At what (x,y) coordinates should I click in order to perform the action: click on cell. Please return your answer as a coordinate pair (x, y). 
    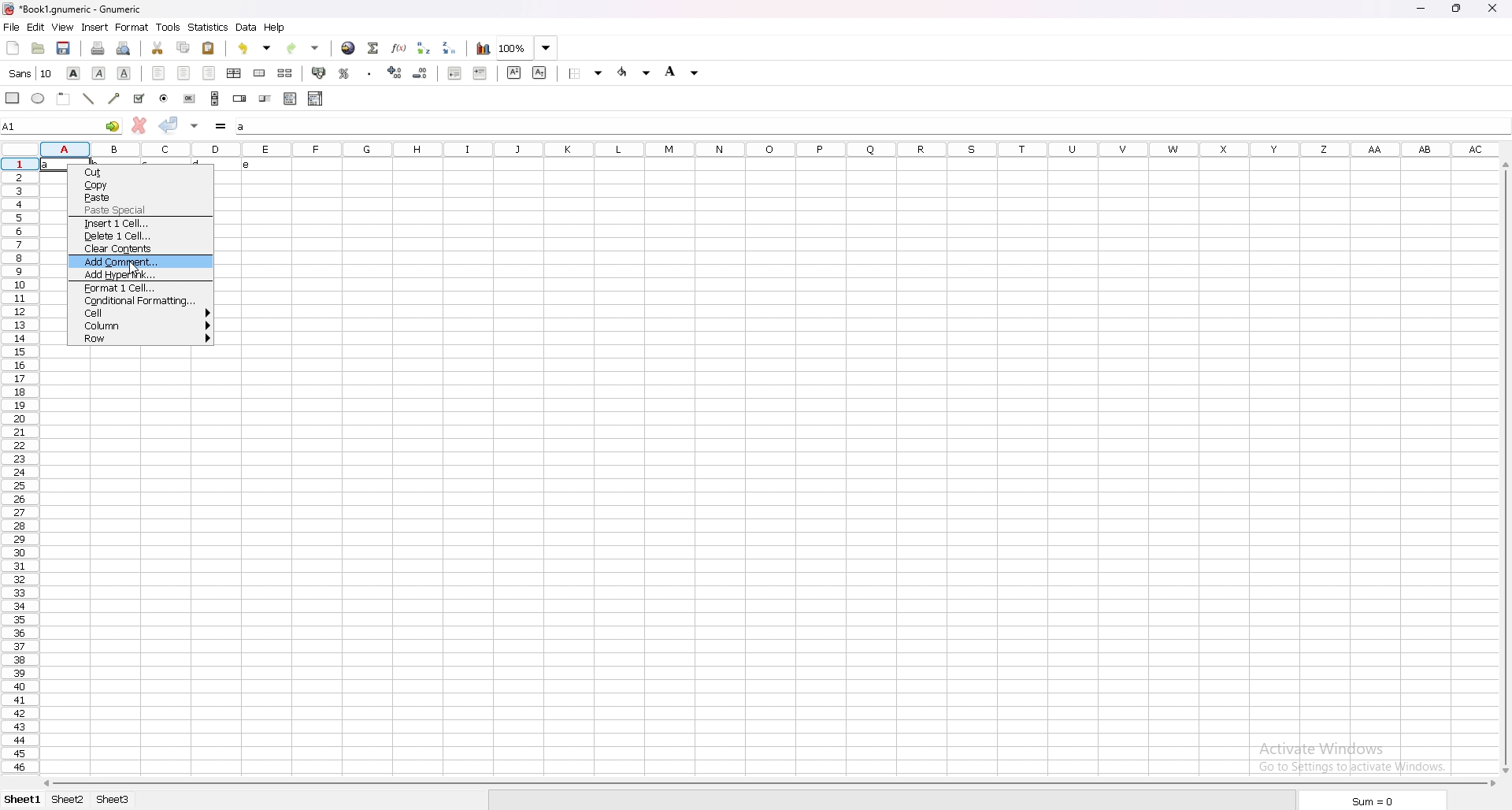
    Looking at the image, I should click on (141, 314).